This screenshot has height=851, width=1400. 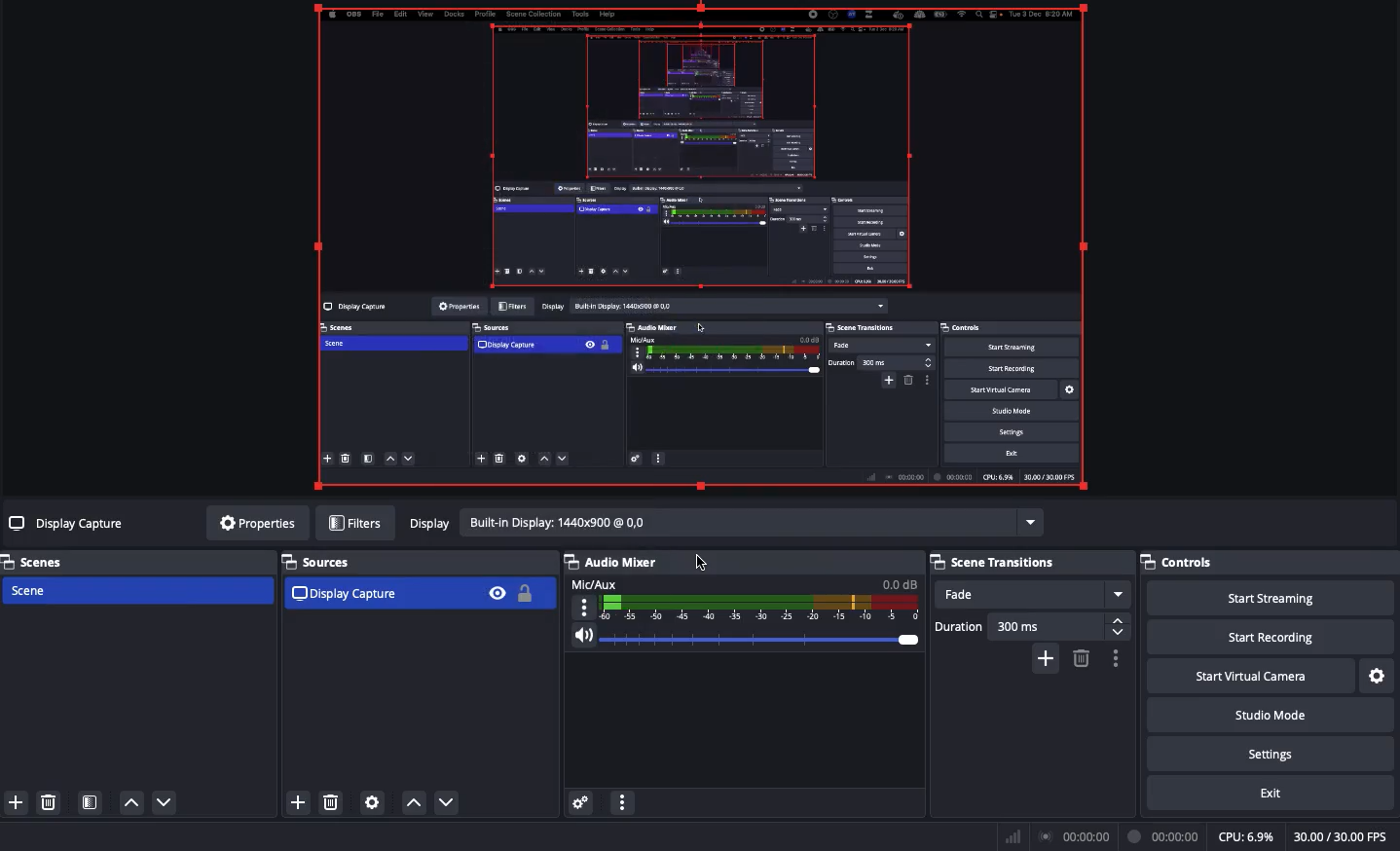 I want to click on Move down, so click(x=164, y=804).